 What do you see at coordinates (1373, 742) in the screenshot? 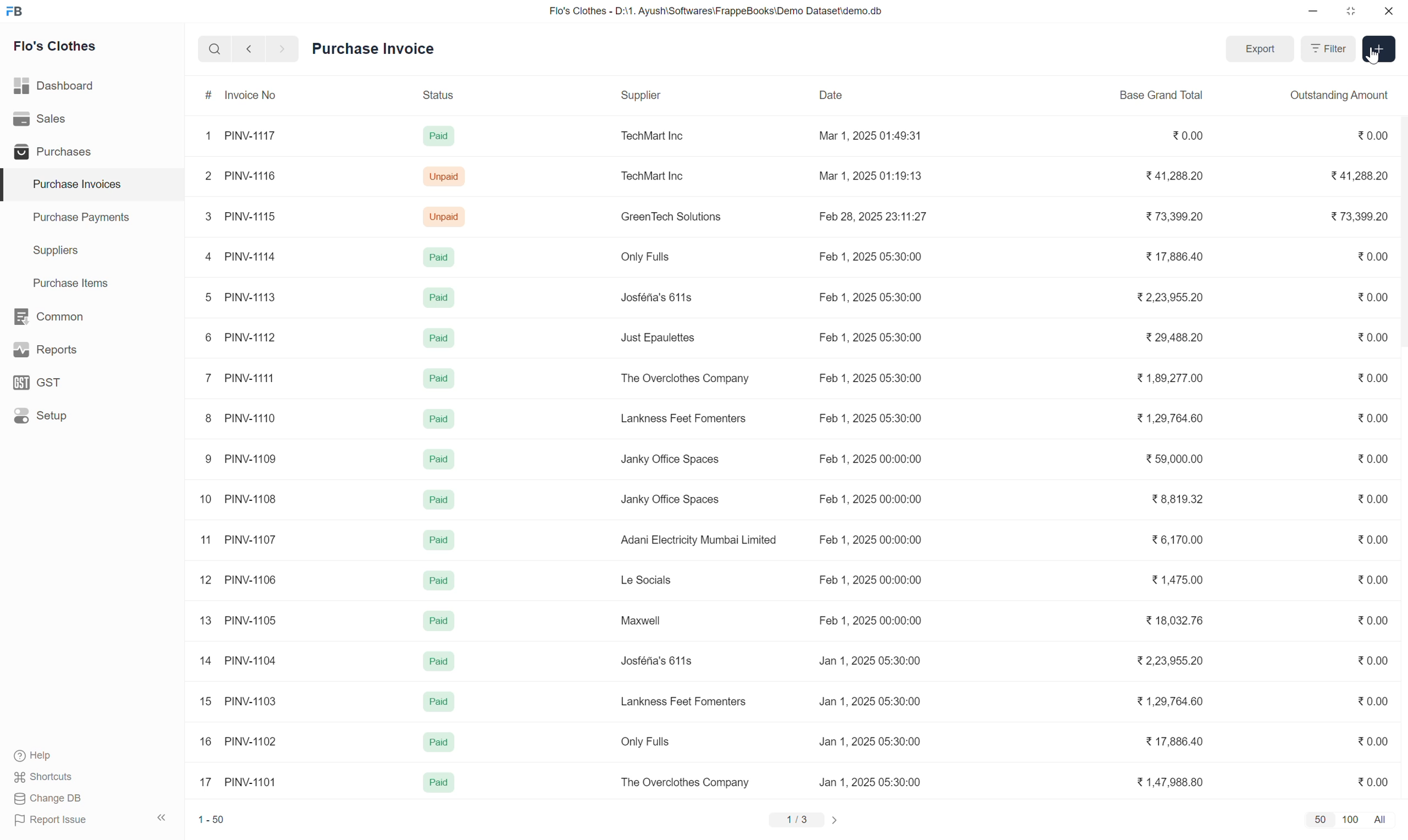
I see `0.00` at bounding box center [1373, 742].